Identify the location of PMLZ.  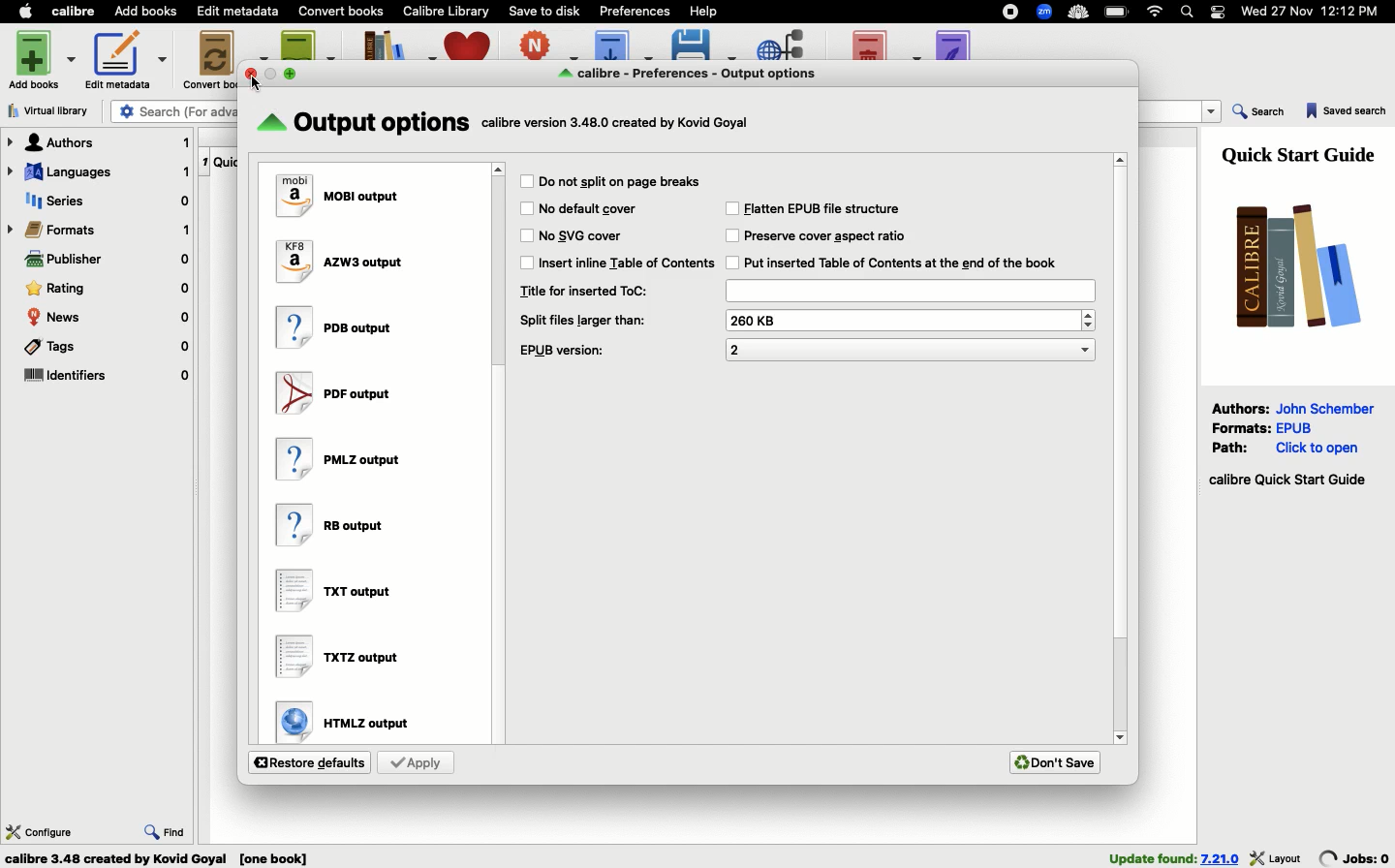
(351, 458).